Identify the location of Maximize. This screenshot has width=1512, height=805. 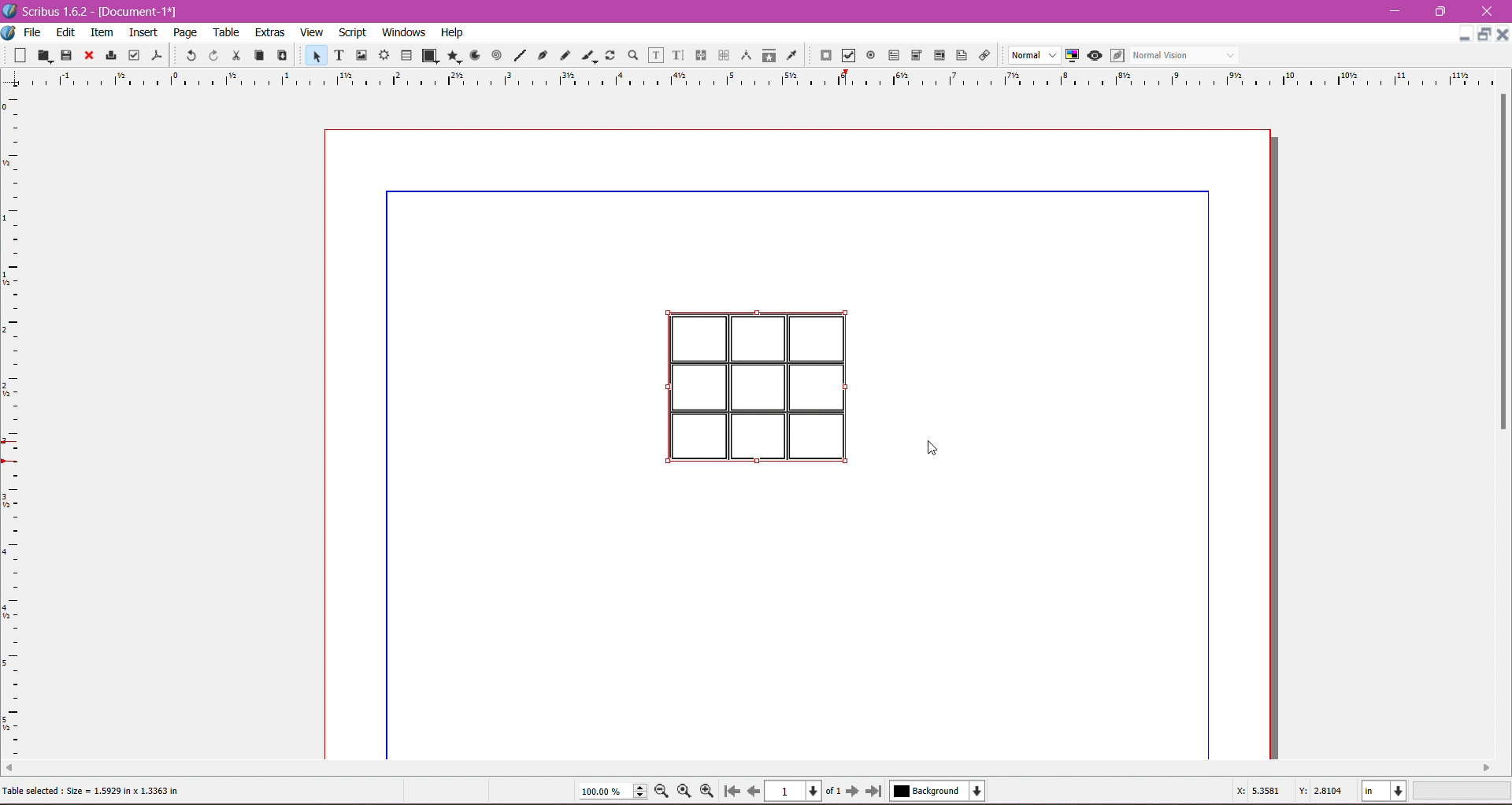
(1485, 35).